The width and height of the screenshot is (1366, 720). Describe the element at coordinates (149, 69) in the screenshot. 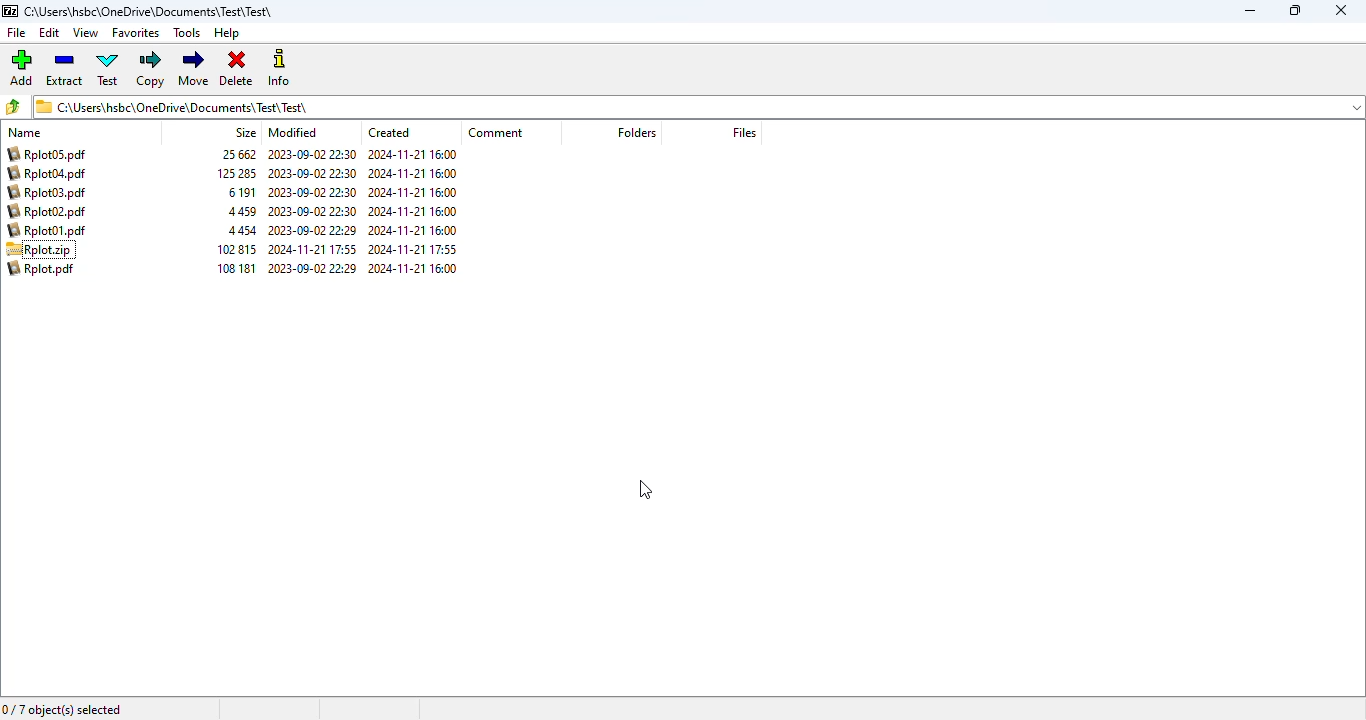

I see `copy` at that location.